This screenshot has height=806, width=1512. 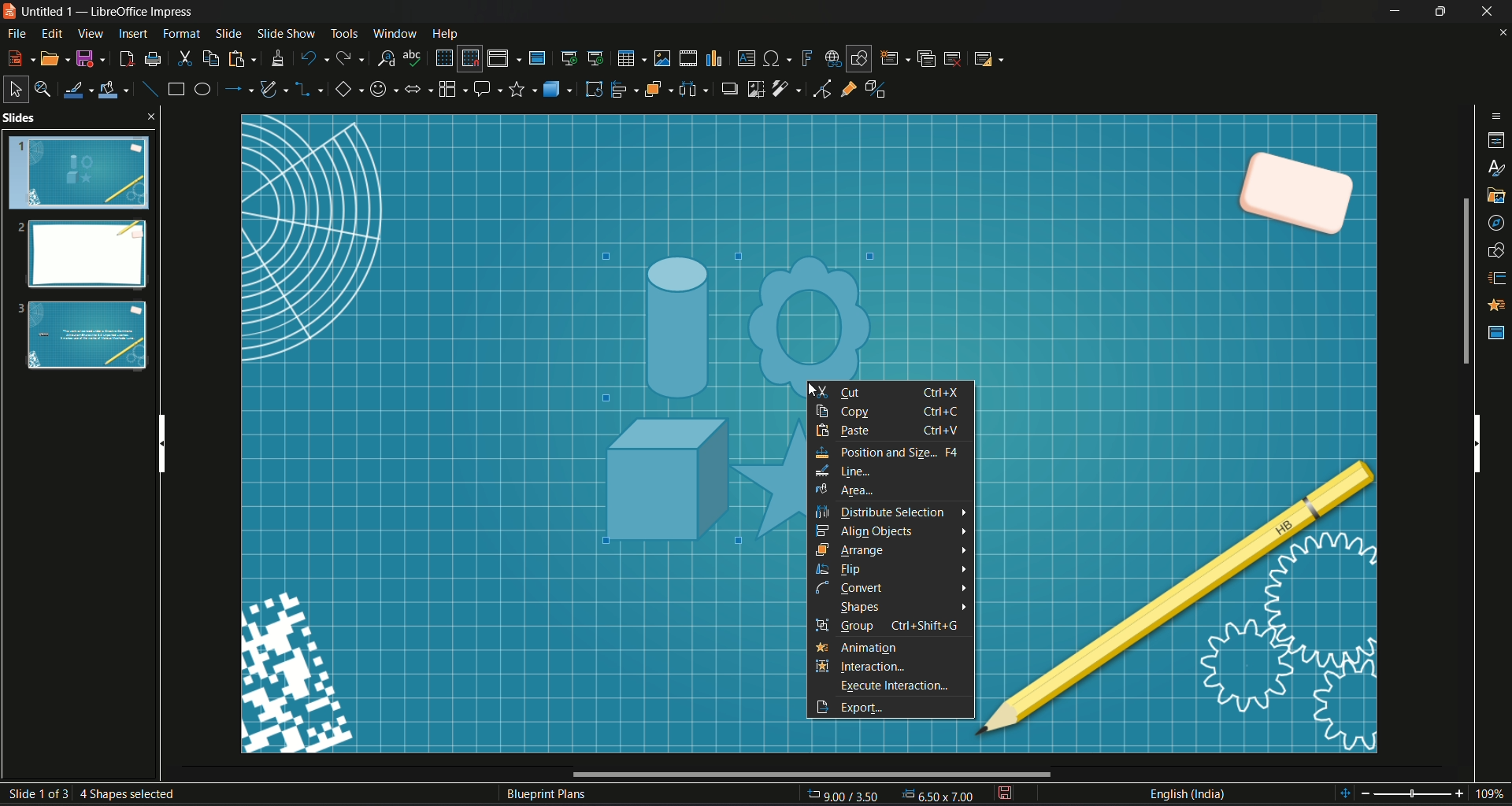 I want to click on paste, so click(x=239, y=59).